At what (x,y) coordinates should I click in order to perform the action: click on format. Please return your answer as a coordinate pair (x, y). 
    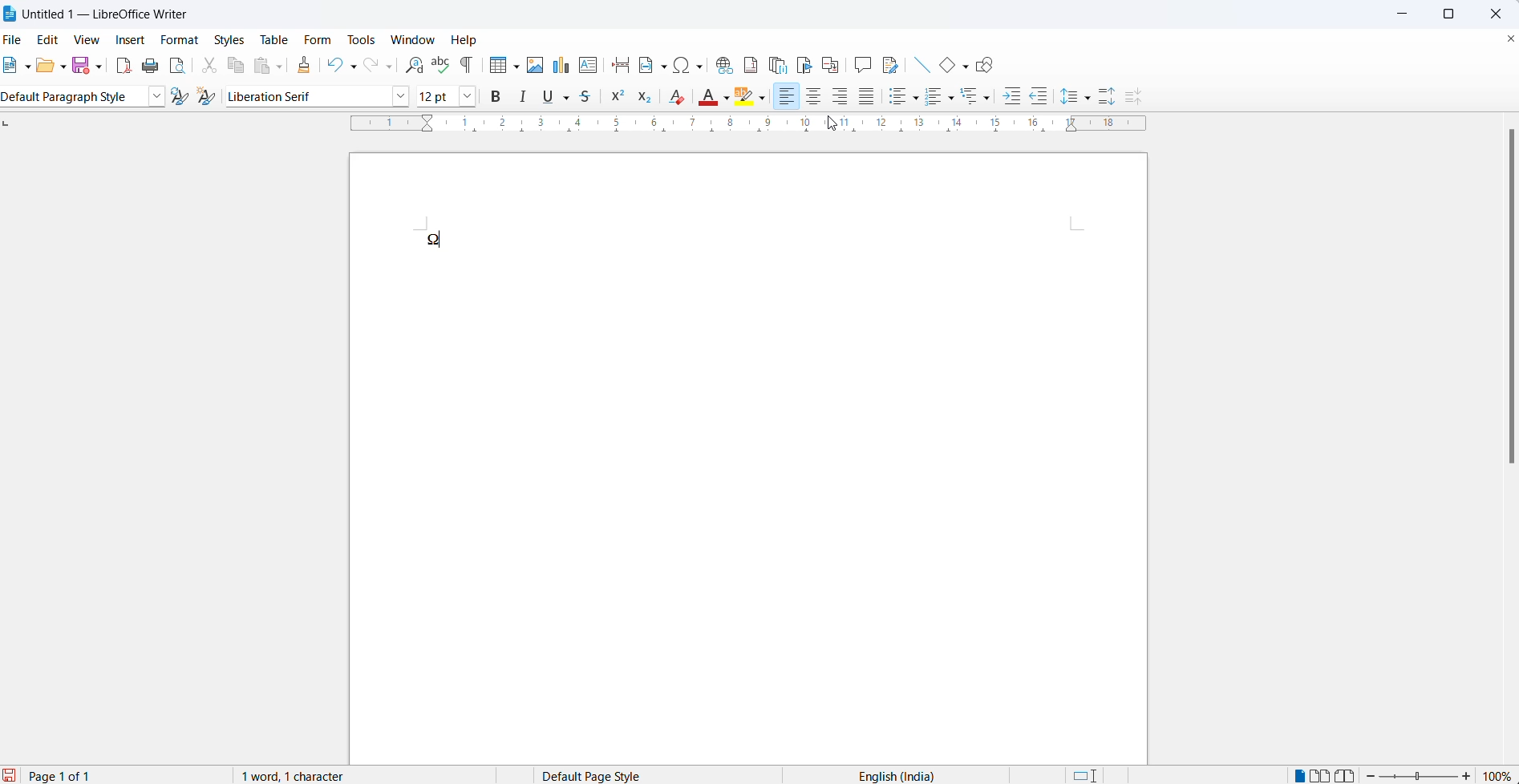
    Looking at the image, I should click on (180, 40).